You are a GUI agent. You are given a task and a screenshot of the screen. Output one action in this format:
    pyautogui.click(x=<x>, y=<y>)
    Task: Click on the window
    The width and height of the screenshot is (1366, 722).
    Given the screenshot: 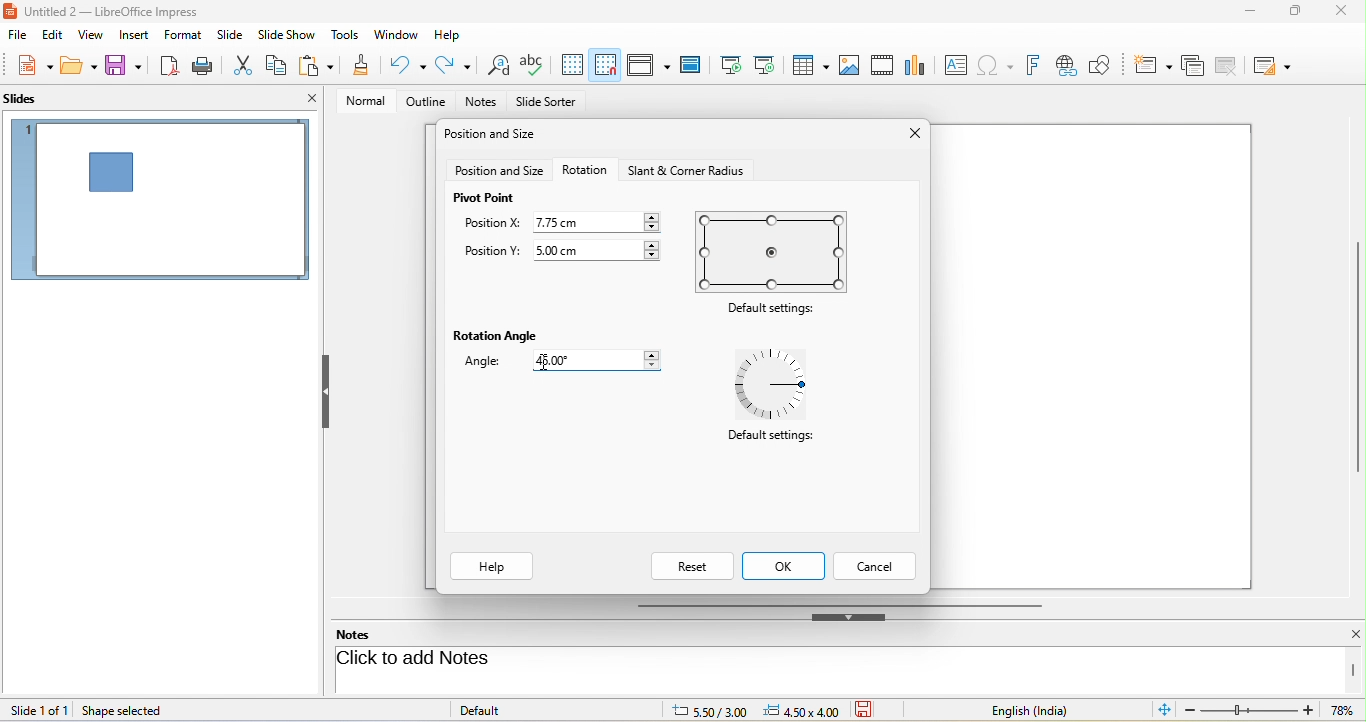 What is the action you would take?
    pyautogui.click(x=396, y=36)
    